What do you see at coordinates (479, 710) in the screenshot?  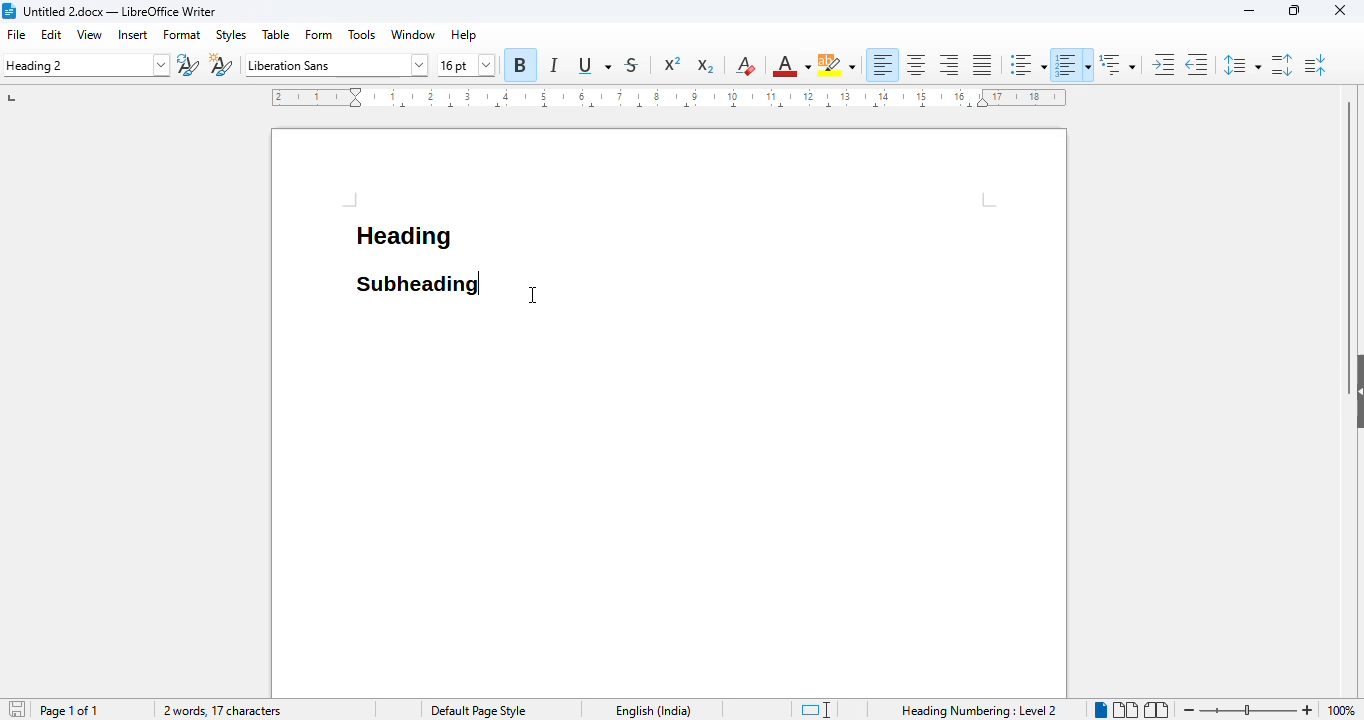 I see `page style` at bounding box center [479, 710].